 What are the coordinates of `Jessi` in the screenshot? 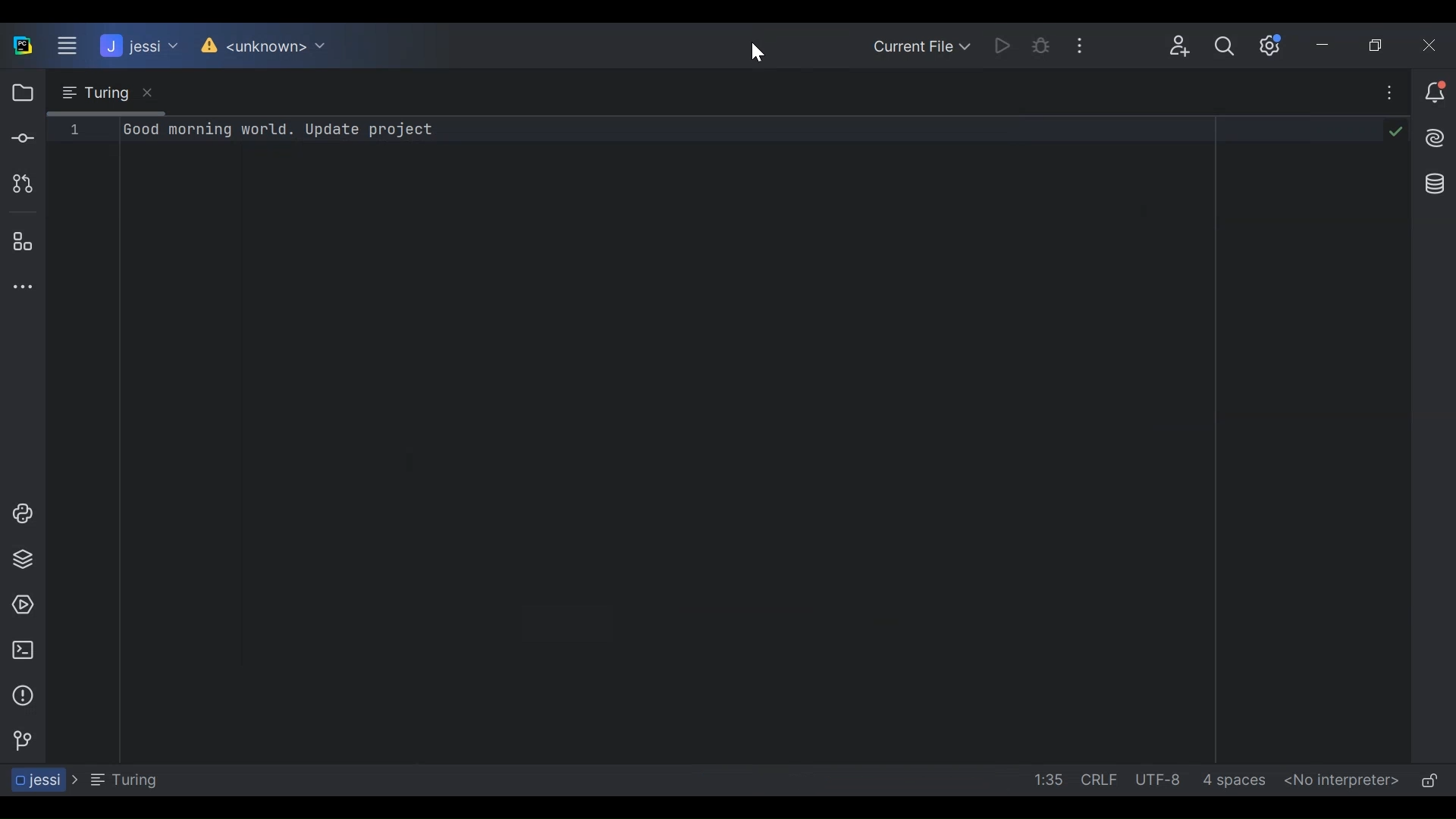 It's located at (136, 45).